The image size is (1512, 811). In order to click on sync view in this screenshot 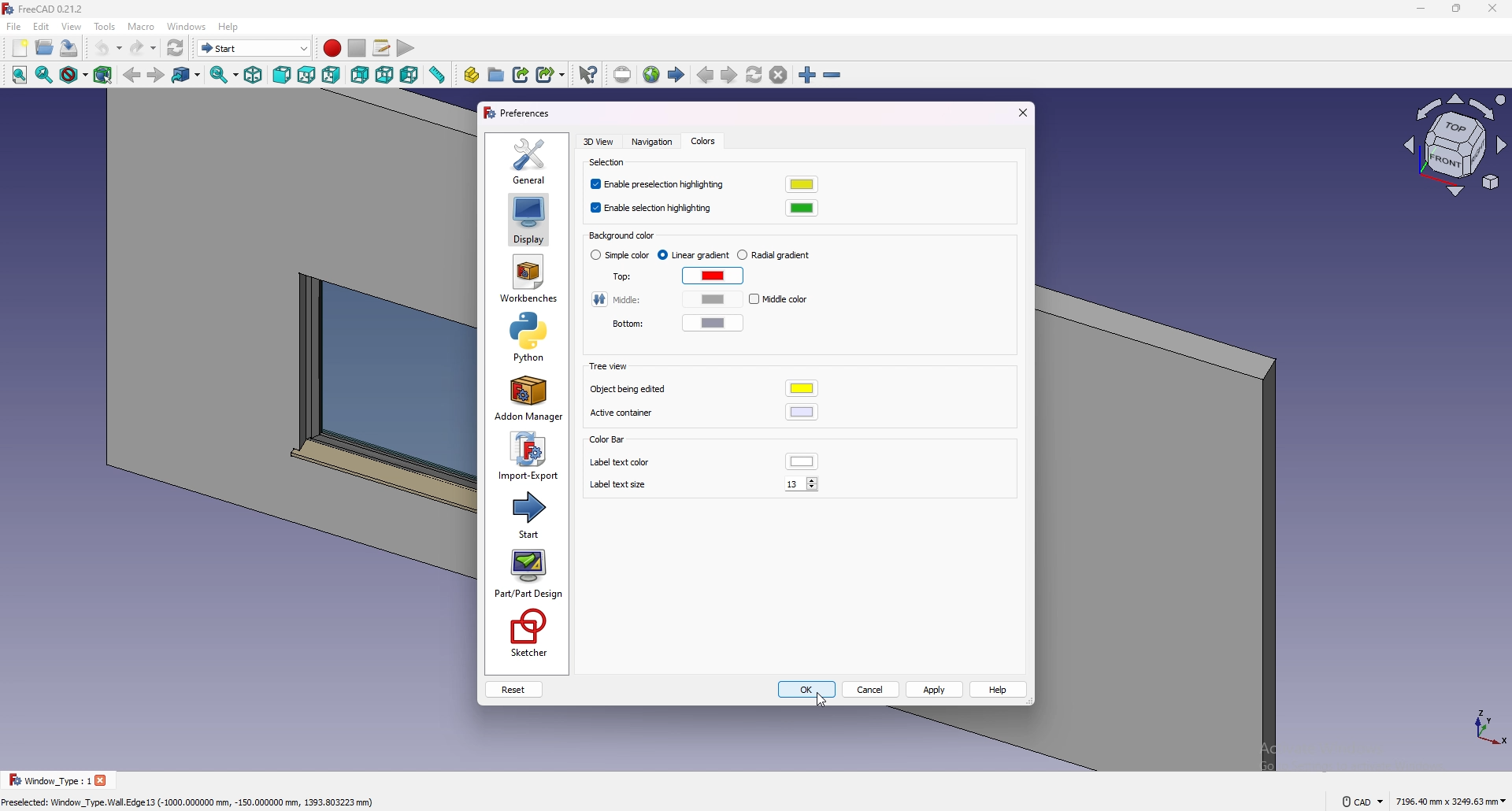, I will do `click(224, 75)`.